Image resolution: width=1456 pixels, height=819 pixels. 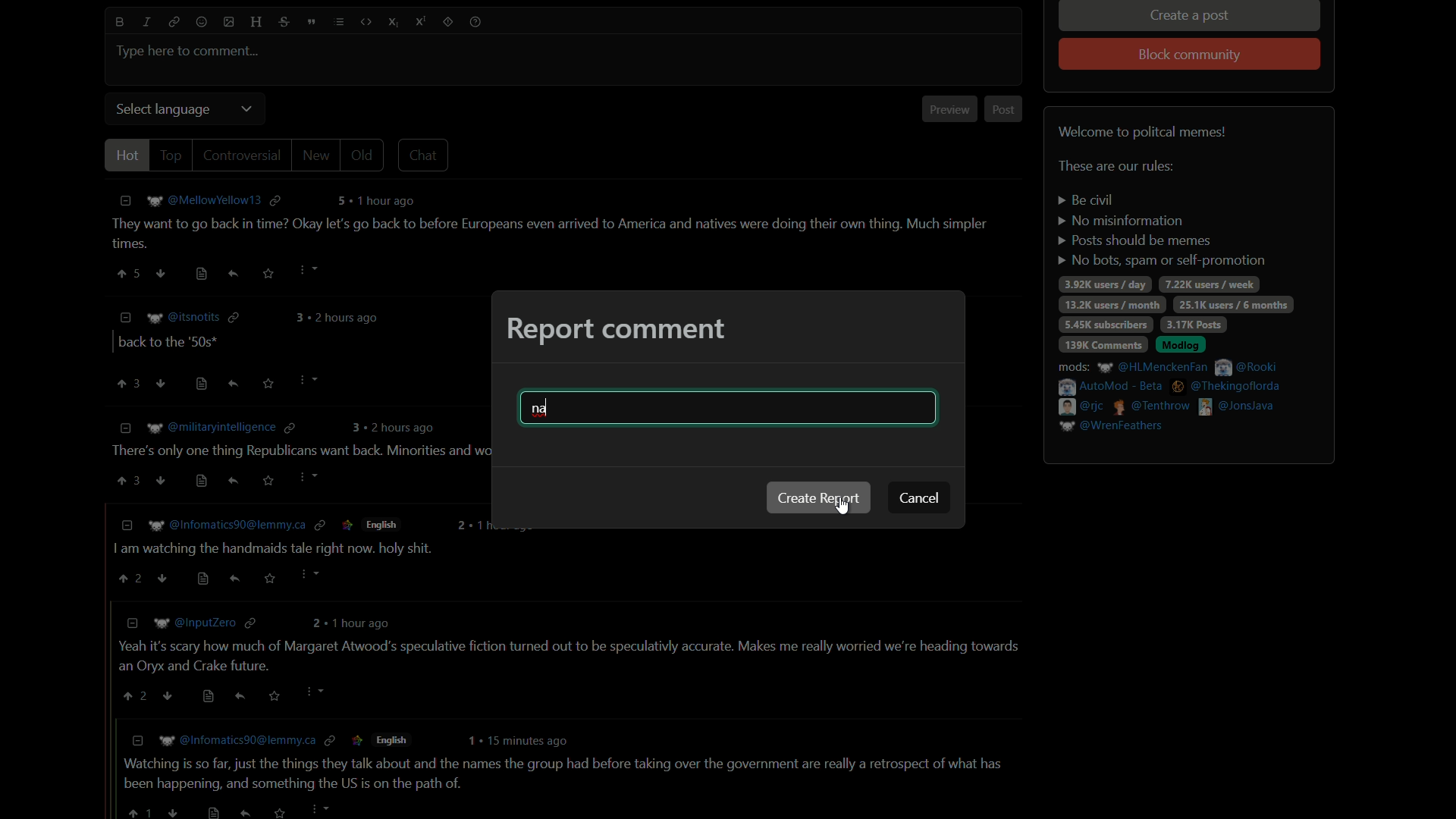 I want to click on controversial, so click(x=240, y=155).